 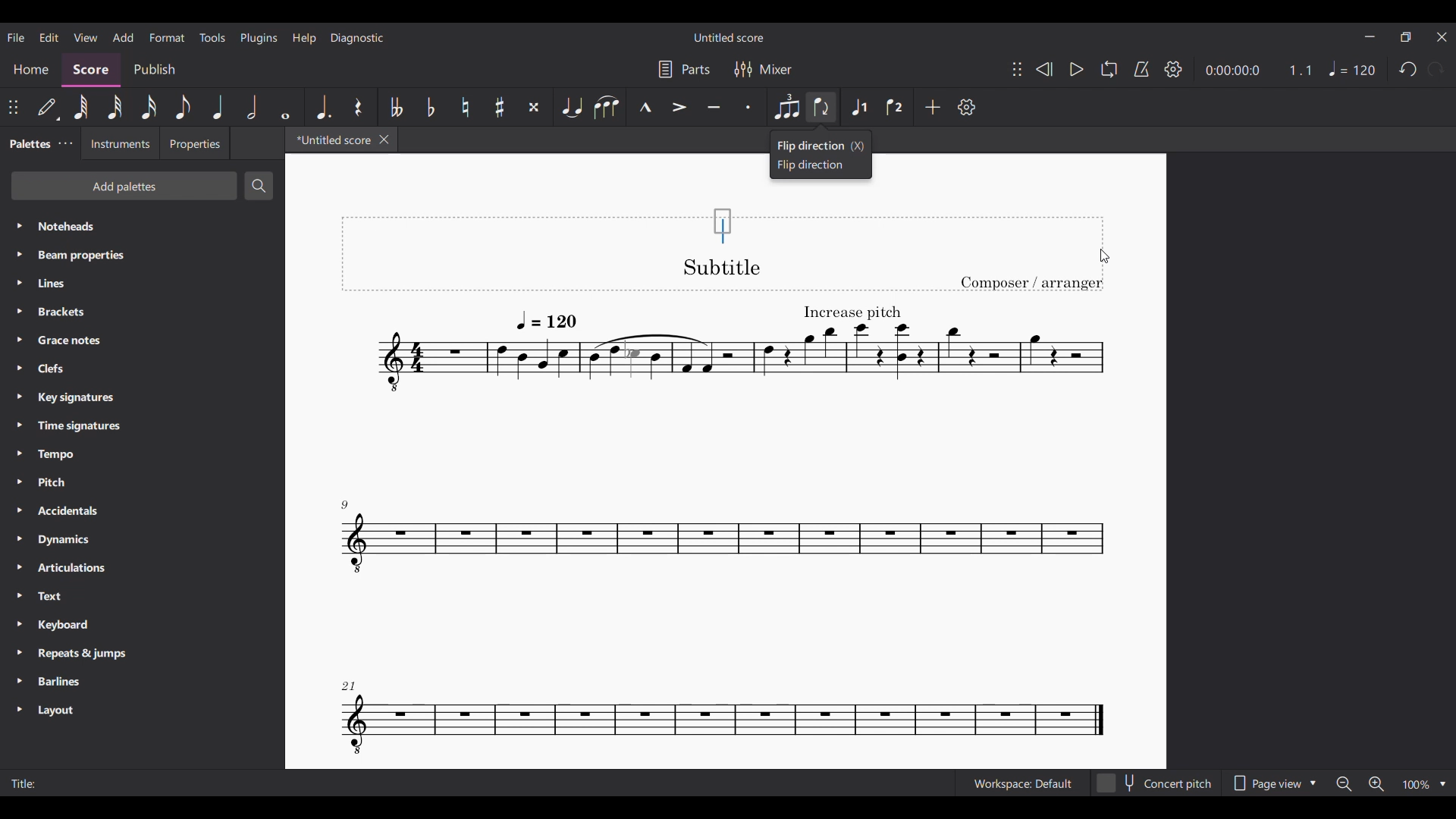 I want to click on Plugins meu, so click(x=259, y=38).